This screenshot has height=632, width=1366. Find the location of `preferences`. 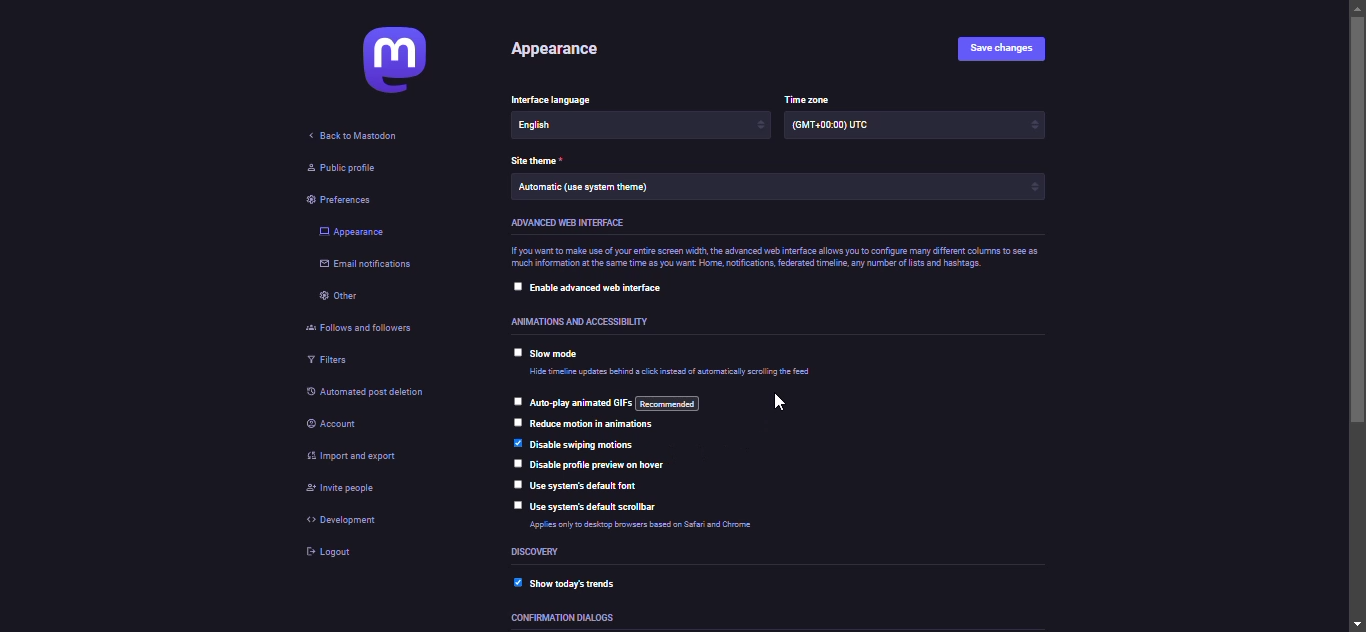

preferences is located at coordinates (349, 198).